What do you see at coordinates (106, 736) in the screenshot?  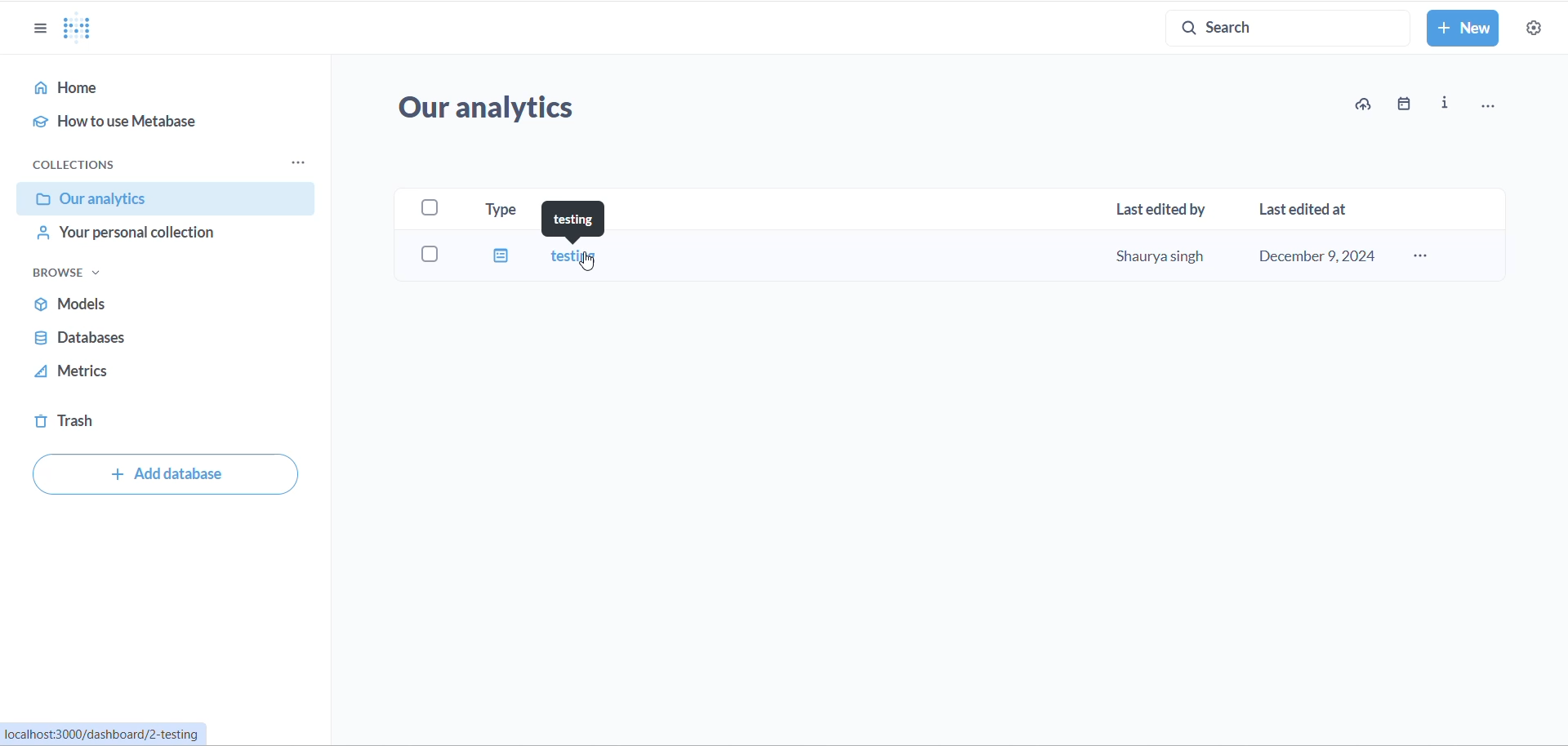 I see `localhost:3000/dashboard/2-testings` at bounding box center [106, 736].